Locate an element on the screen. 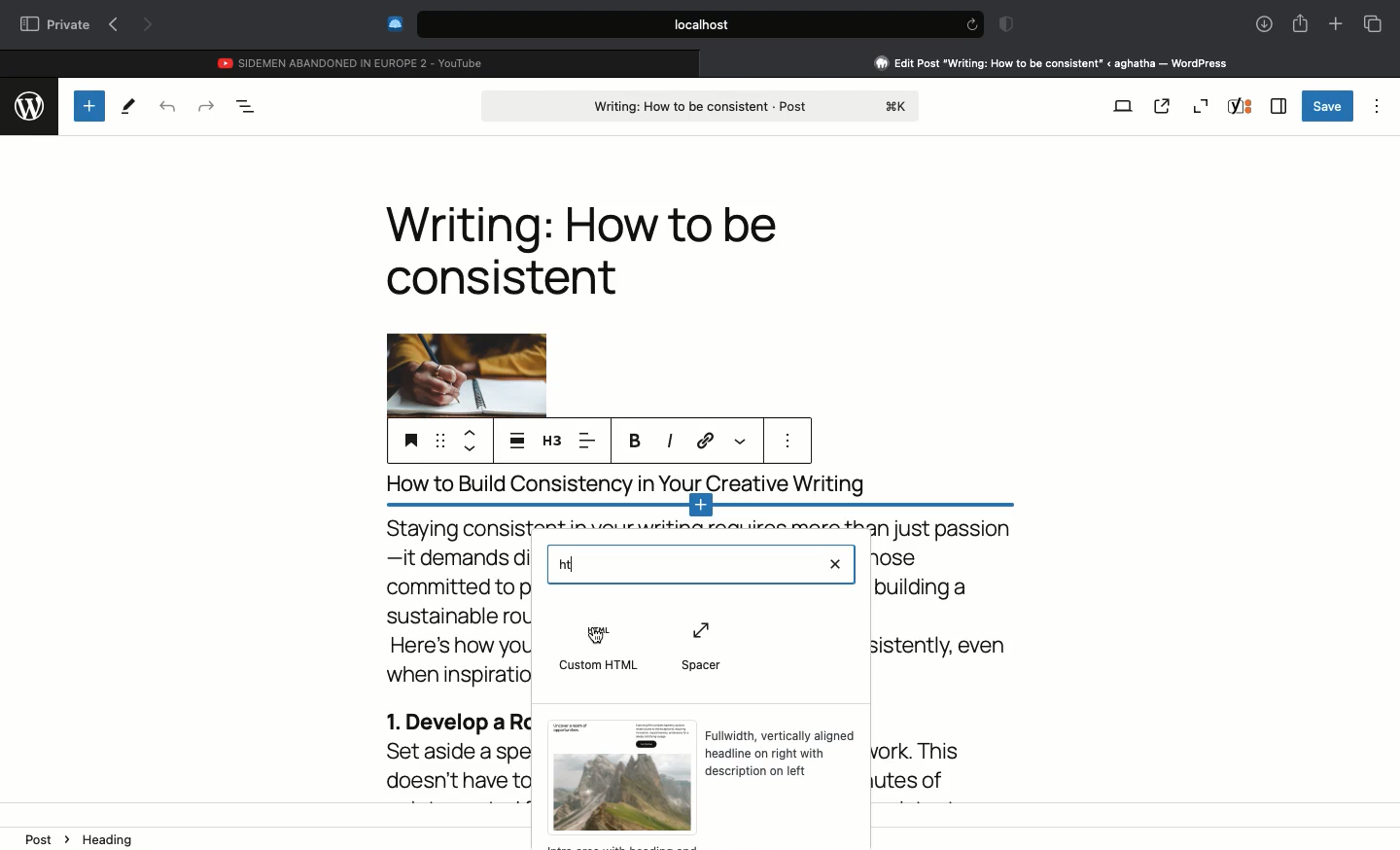 The image size is (1400, 850). Extensions is located at coordinates (393, 23).